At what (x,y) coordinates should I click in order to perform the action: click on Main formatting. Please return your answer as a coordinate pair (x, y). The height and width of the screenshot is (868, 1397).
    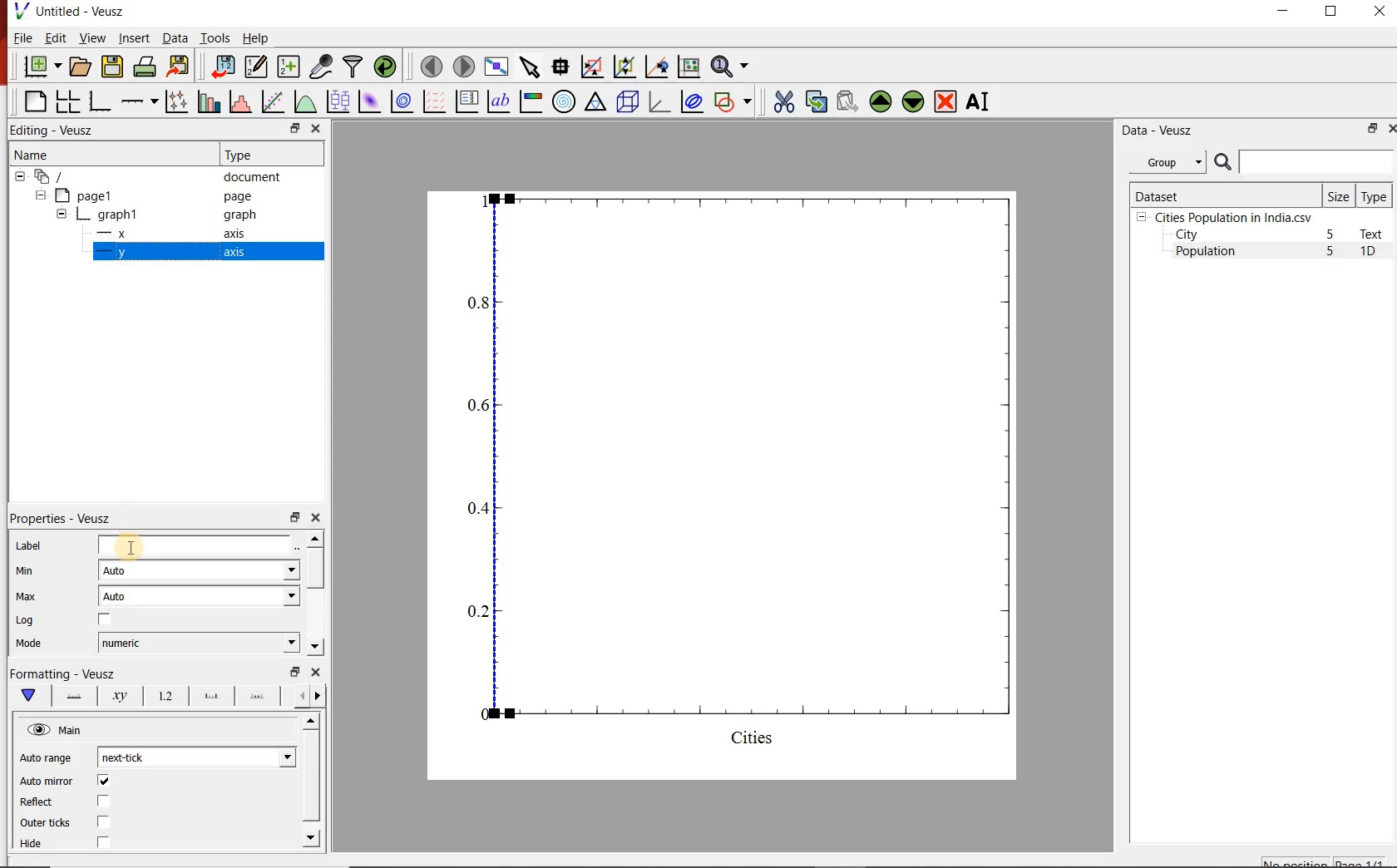
    Looking at the image, I should click on (32, 696).